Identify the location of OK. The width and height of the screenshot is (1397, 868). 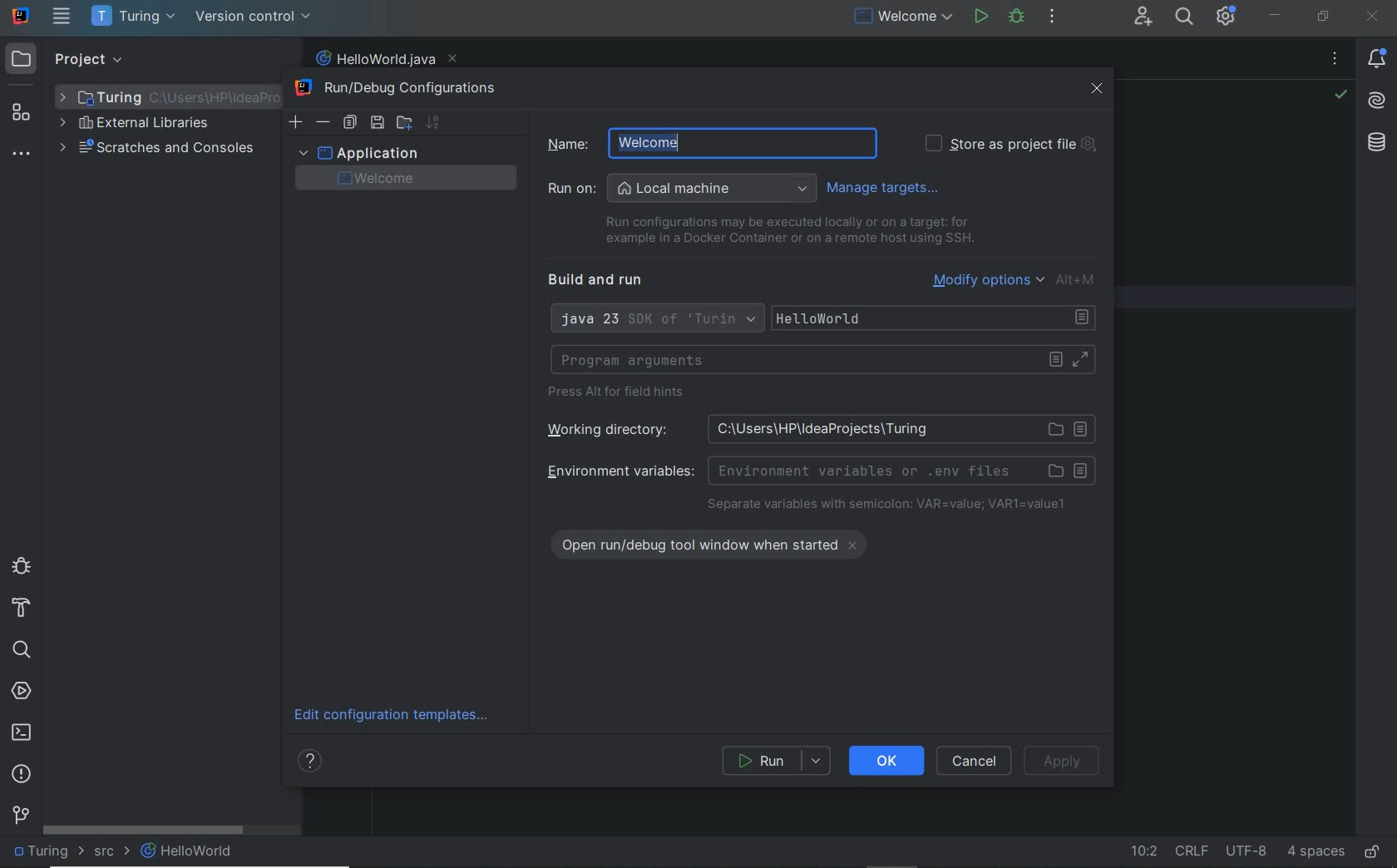
(886, 760).